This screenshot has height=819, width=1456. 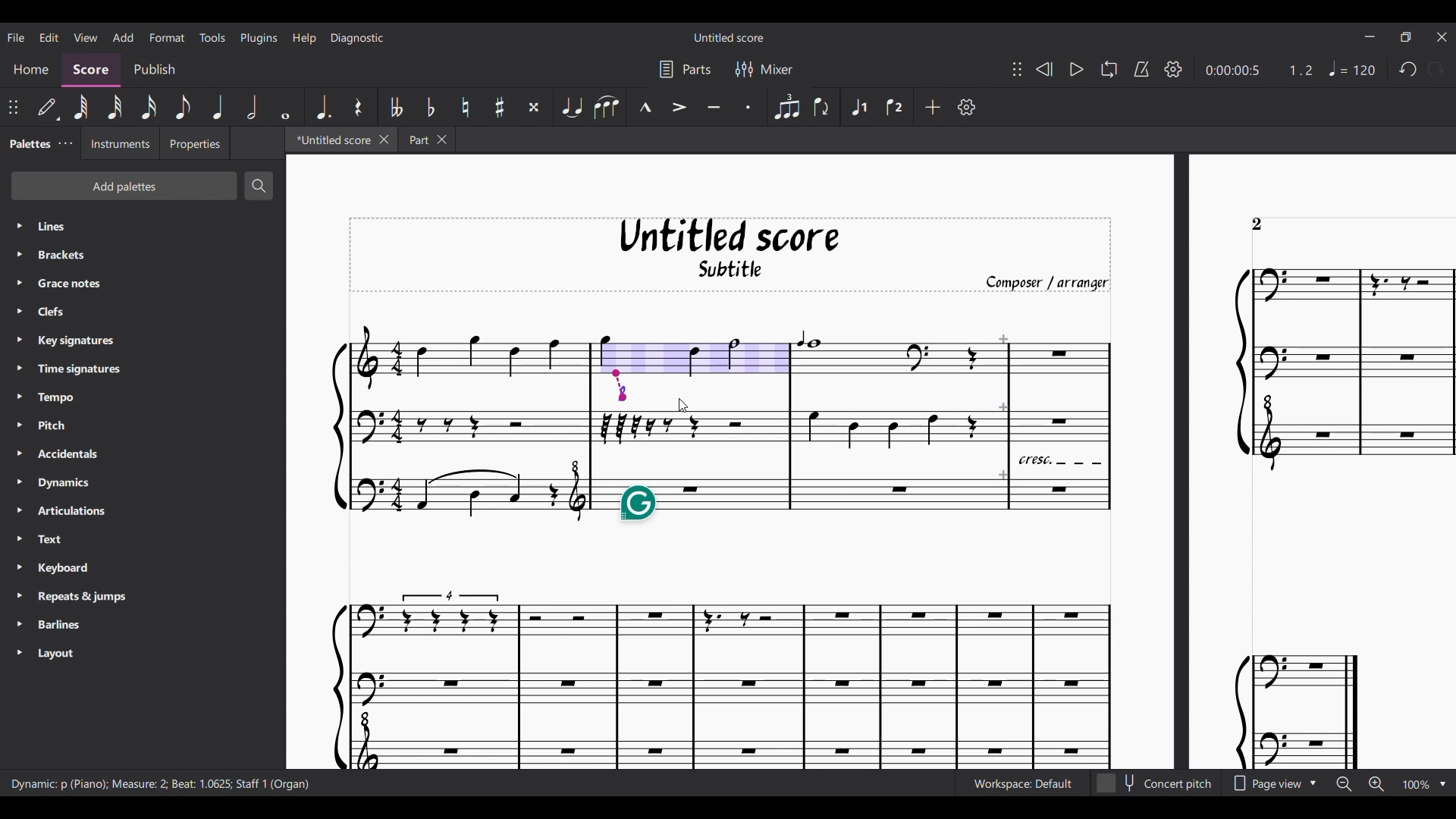 What do you see at coordinates (331, 139) in the screenshot?
I see `Current tab` at bounding box center [331, 139].